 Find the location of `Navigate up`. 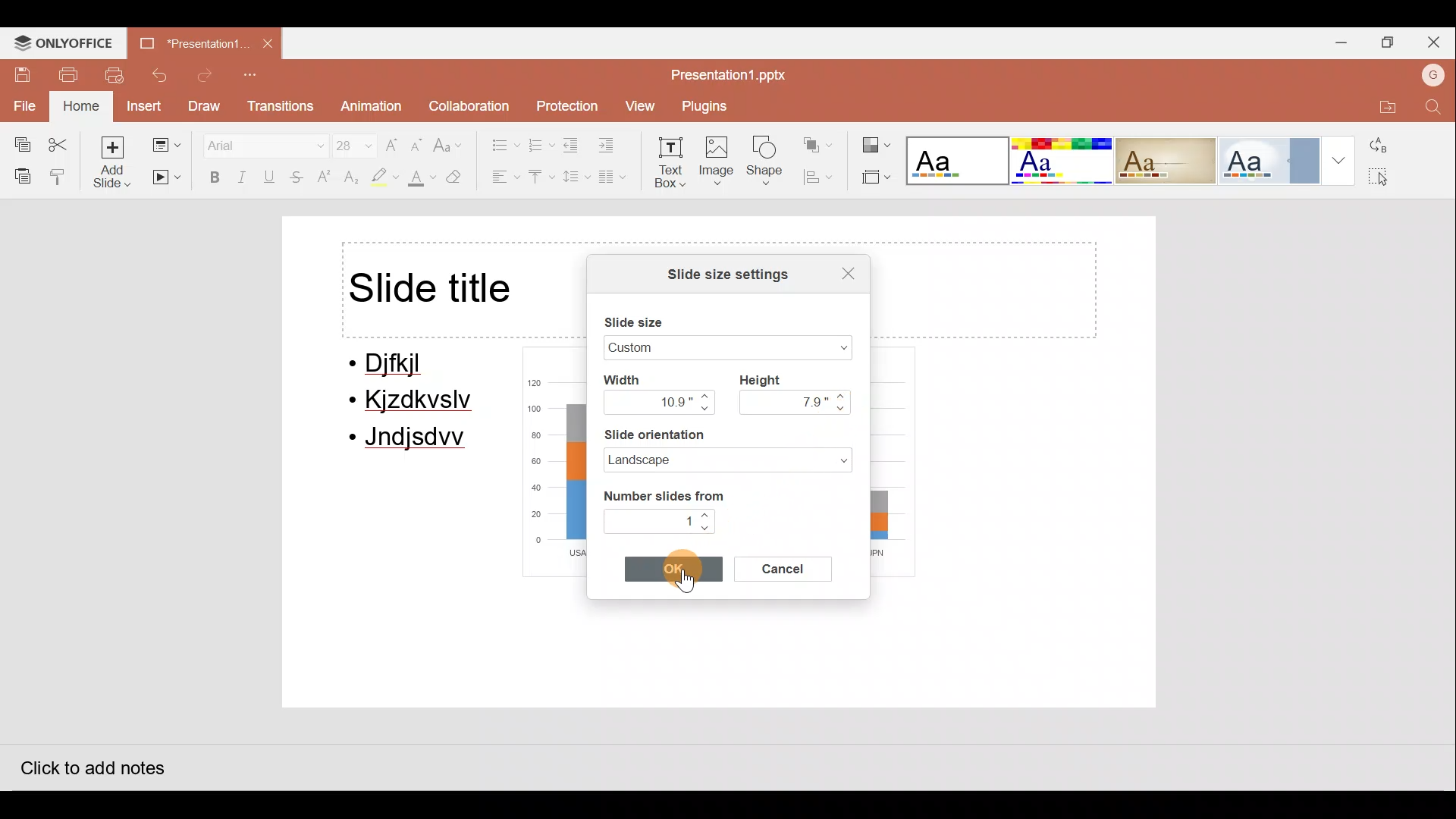

Navigate up is located at coordinates (707, 516).